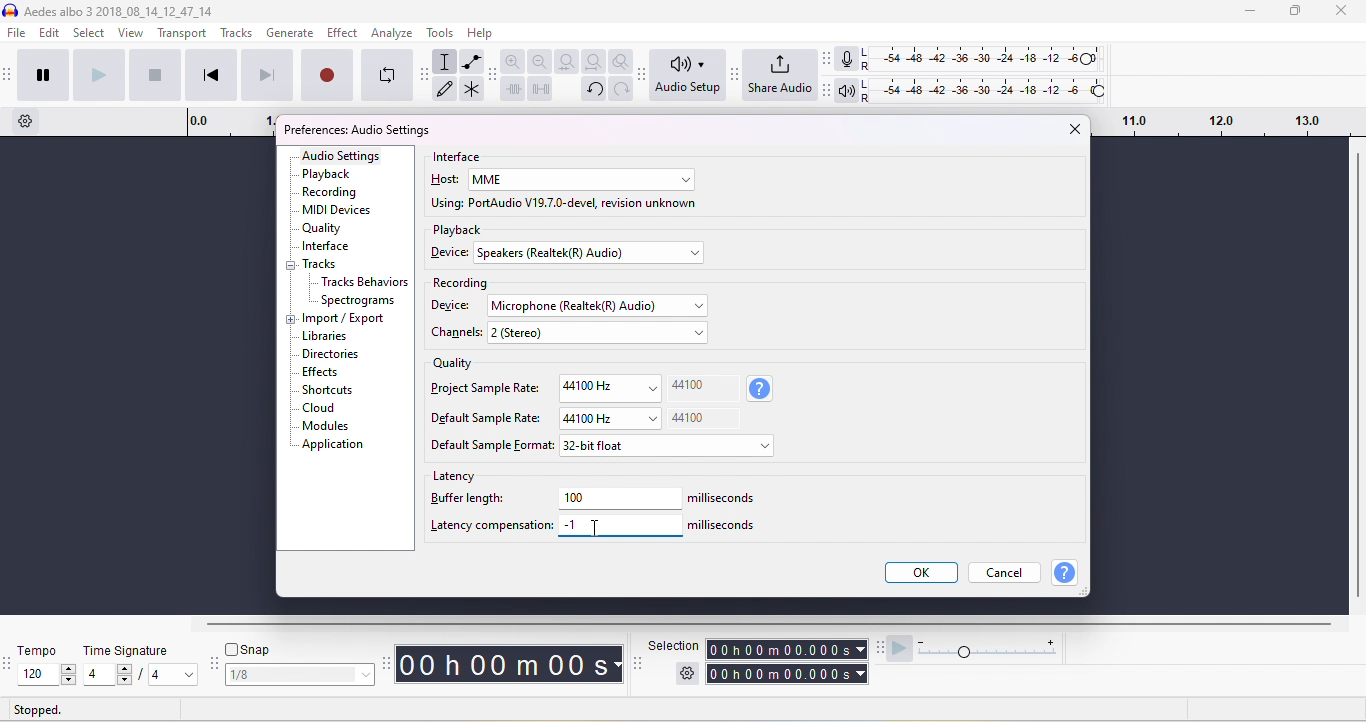  What do you see at coordinates (990, 87) in the screenshot?
I see `playback level` at bounding box center [990, 87].